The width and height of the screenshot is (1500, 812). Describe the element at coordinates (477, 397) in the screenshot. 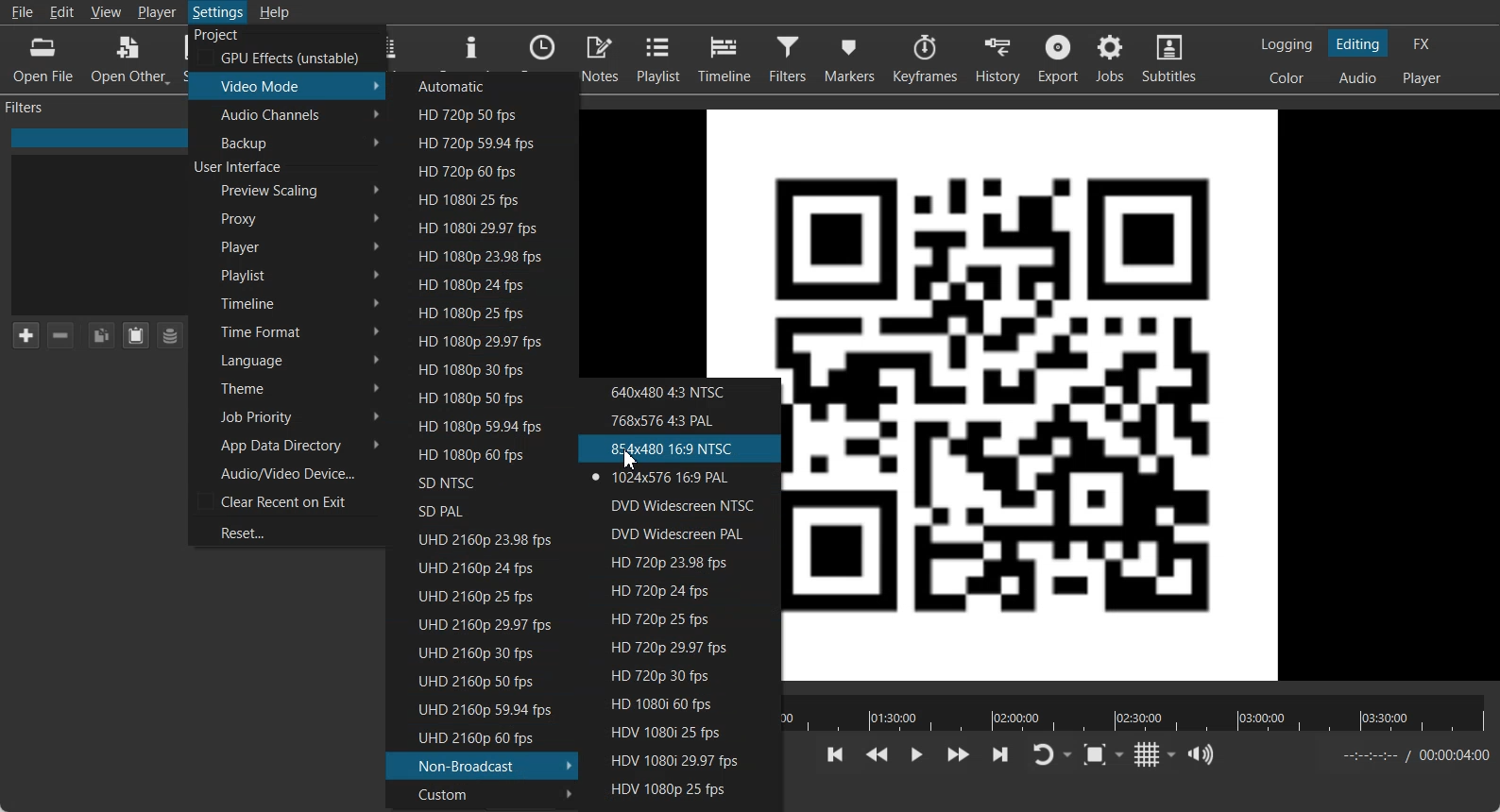

I see `HD 1080p 50 fps` at that location.